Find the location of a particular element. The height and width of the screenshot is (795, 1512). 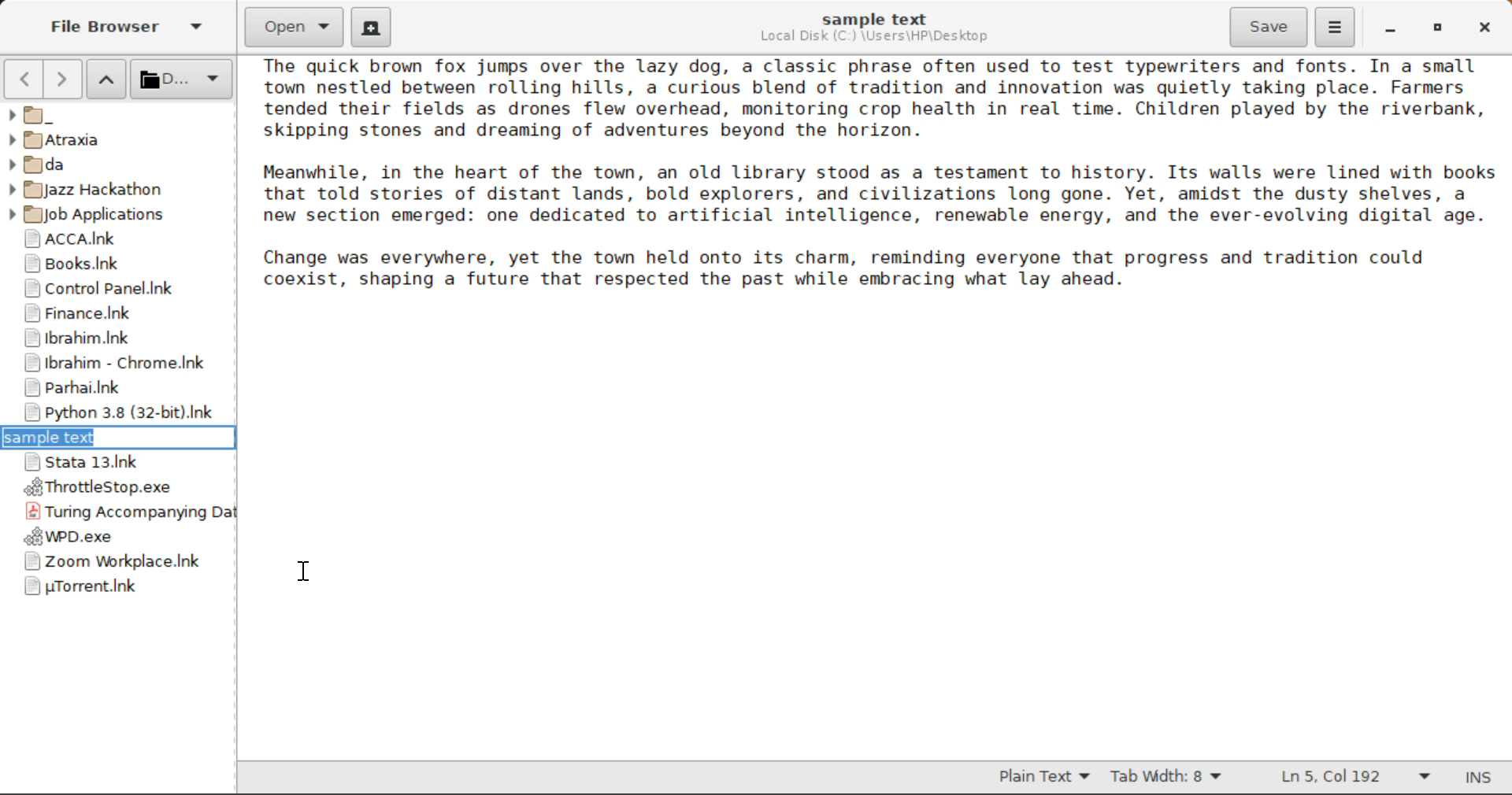

Stata 13 Application Shortcut is located at coordinates (117, 464).